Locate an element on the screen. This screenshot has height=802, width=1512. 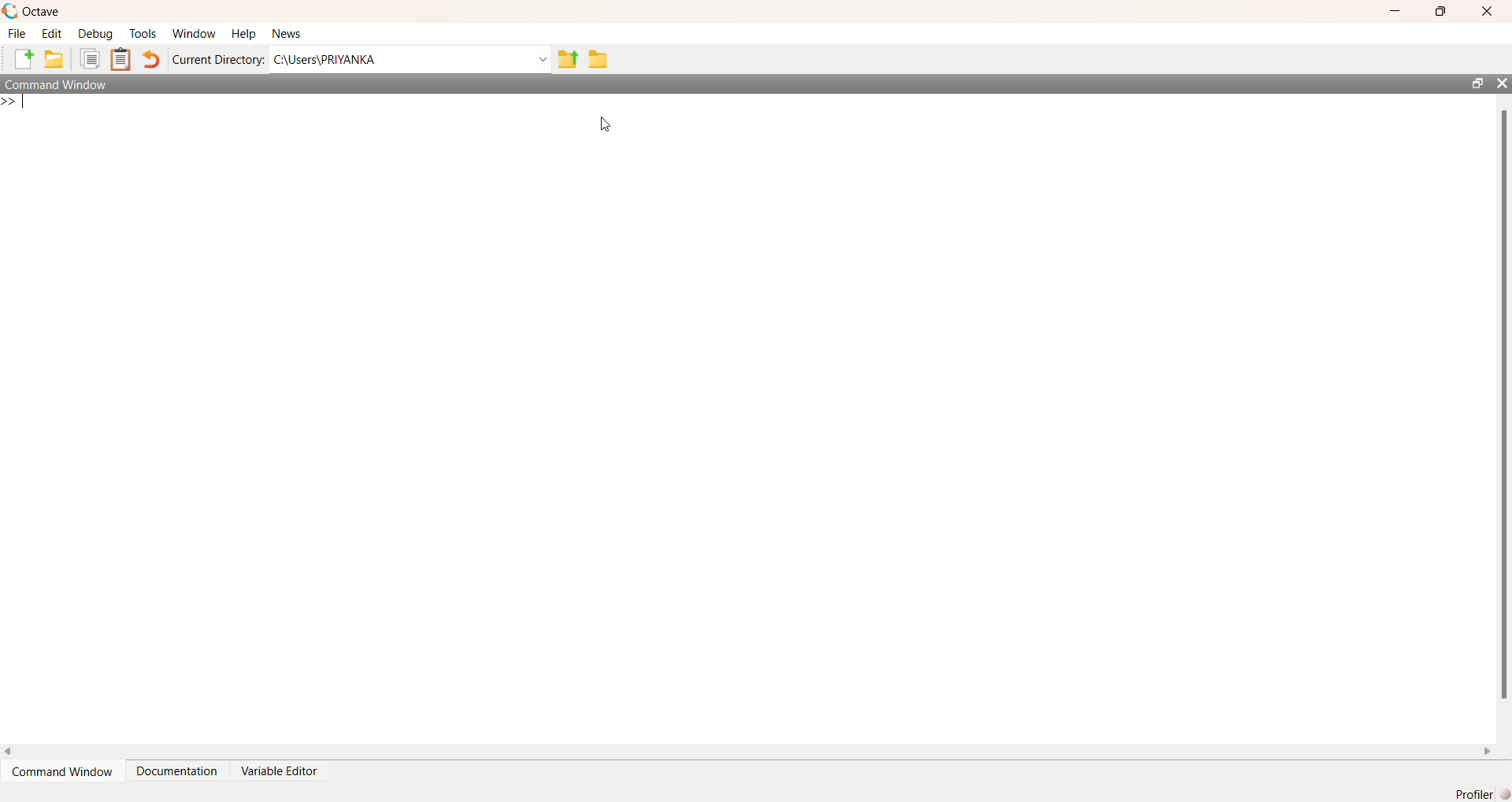
new document is located at coordinates (23, 58).